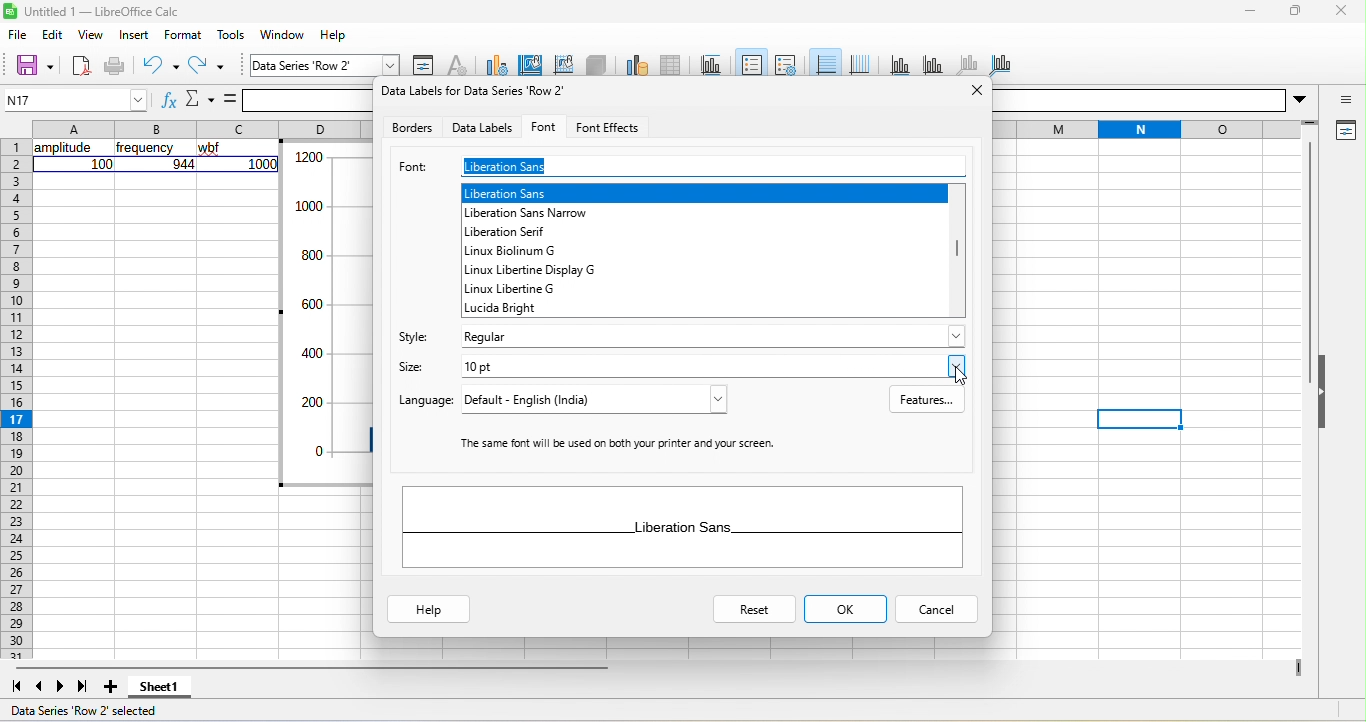 The height and width of the screenshot is (722, 1366). I want to click on 944, so click(182, 164).